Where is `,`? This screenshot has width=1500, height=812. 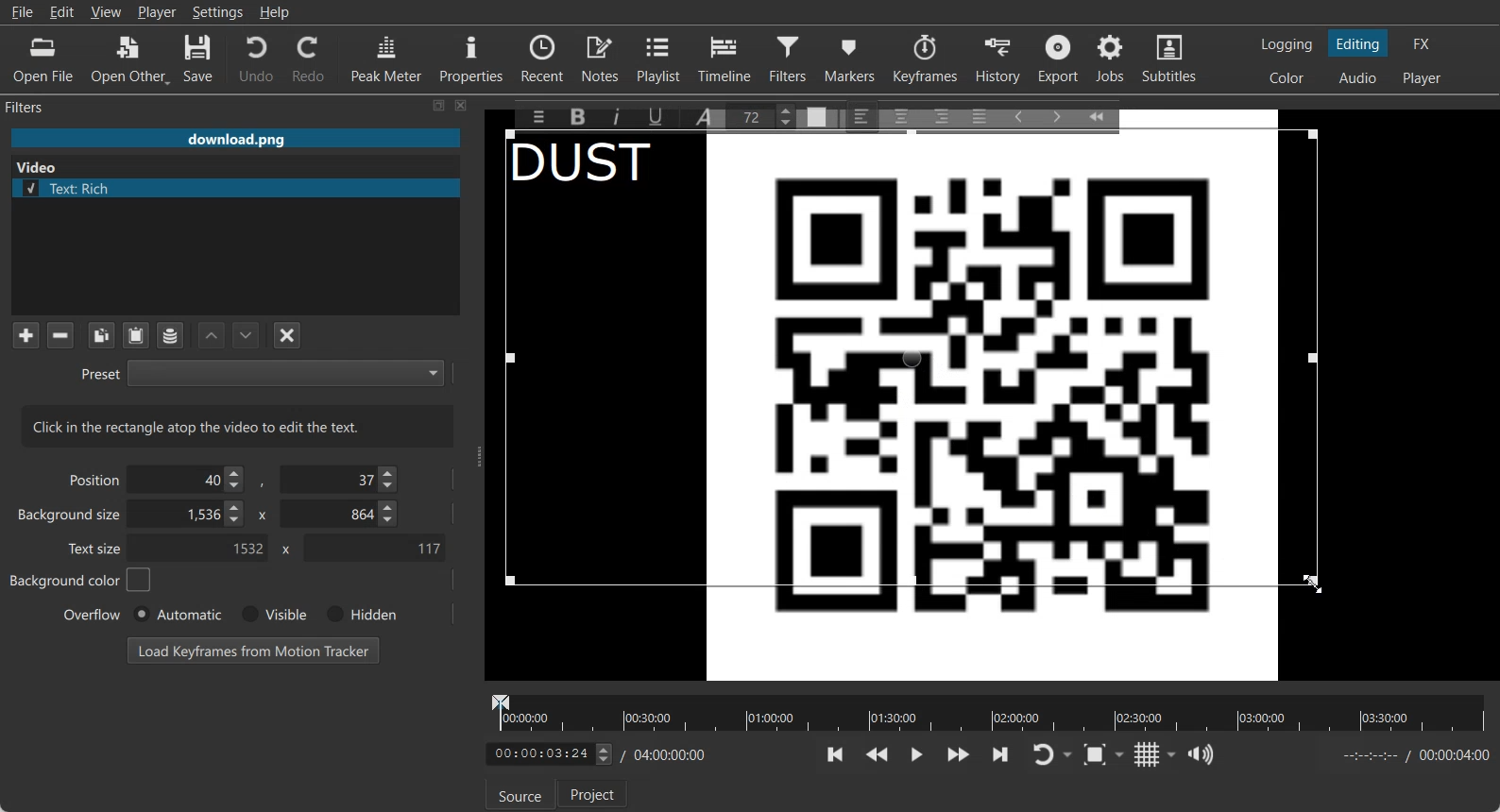 , is located at coordinates (264, 483).